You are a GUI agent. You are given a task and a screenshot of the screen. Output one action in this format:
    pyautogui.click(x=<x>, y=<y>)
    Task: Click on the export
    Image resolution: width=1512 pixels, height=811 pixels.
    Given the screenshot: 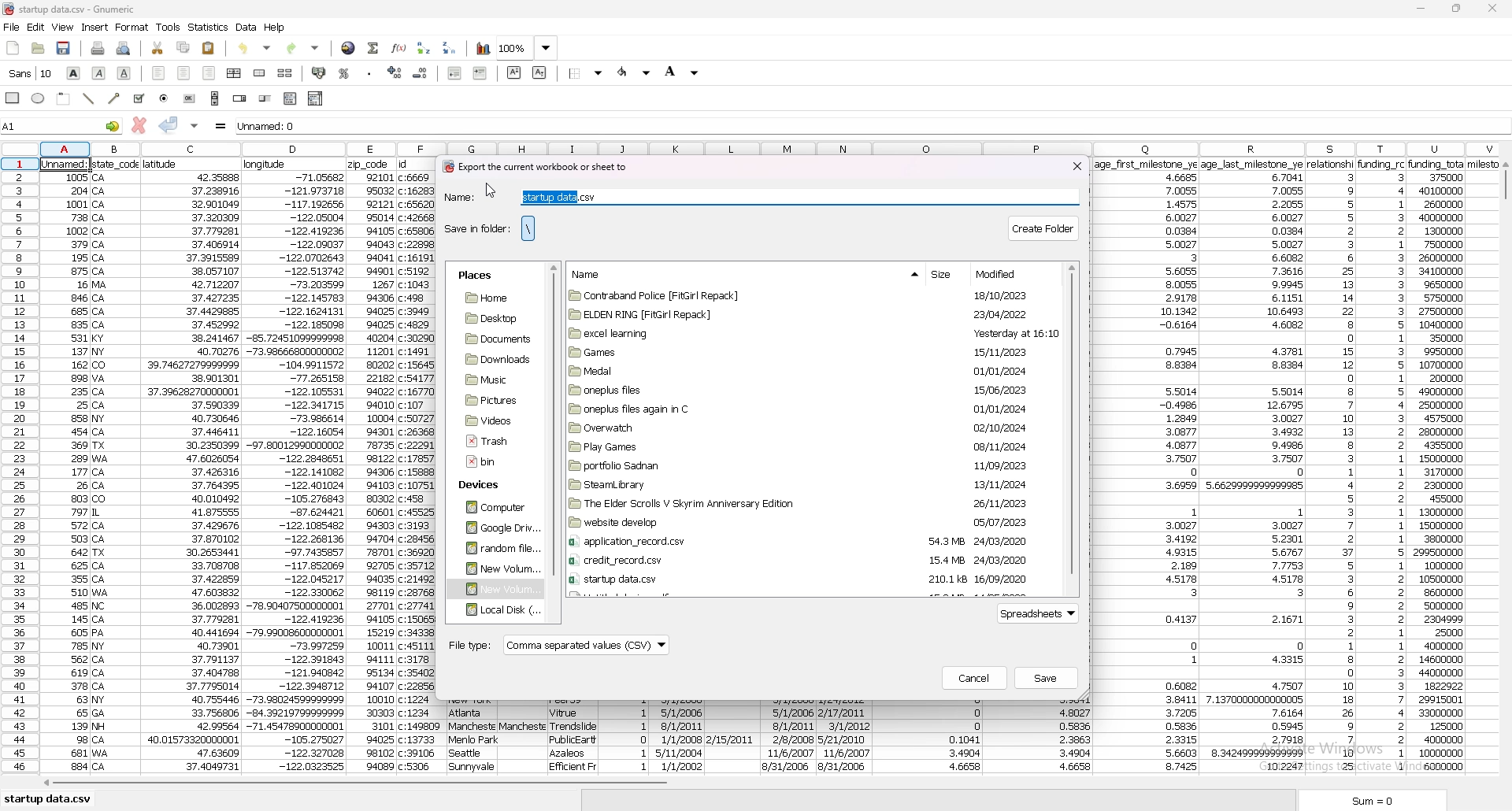 What is the action you would take?
    pyautogui.click(x=534, y=167)
    